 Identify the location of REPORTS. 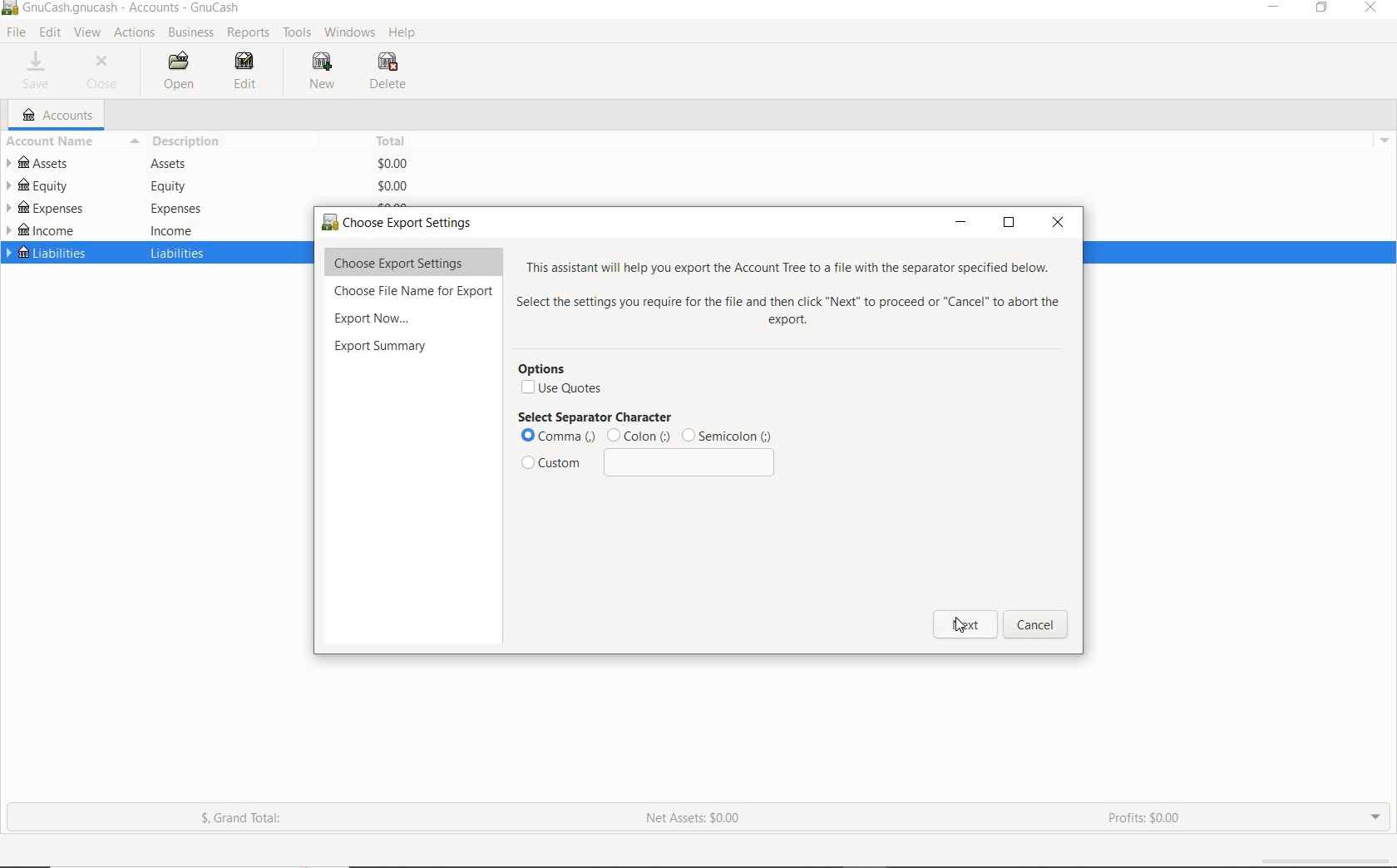
(249, 33).